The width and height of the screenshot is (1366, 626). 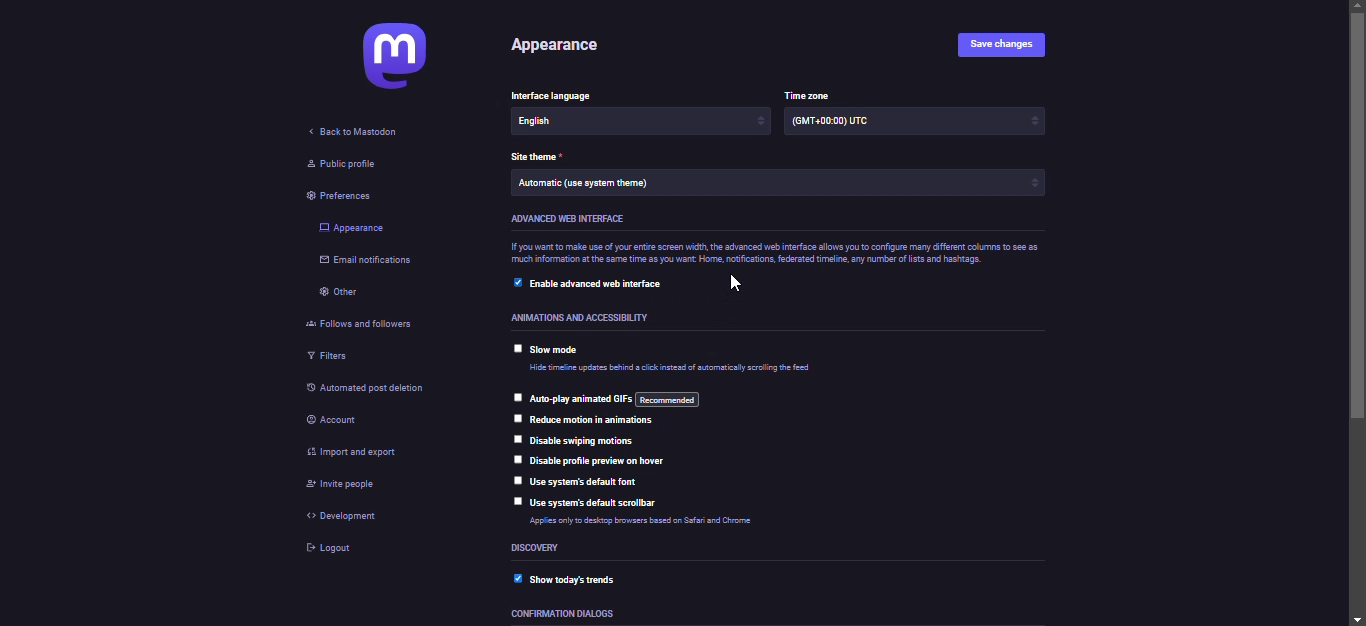 I want to click on other, so click(x=341, y=293).